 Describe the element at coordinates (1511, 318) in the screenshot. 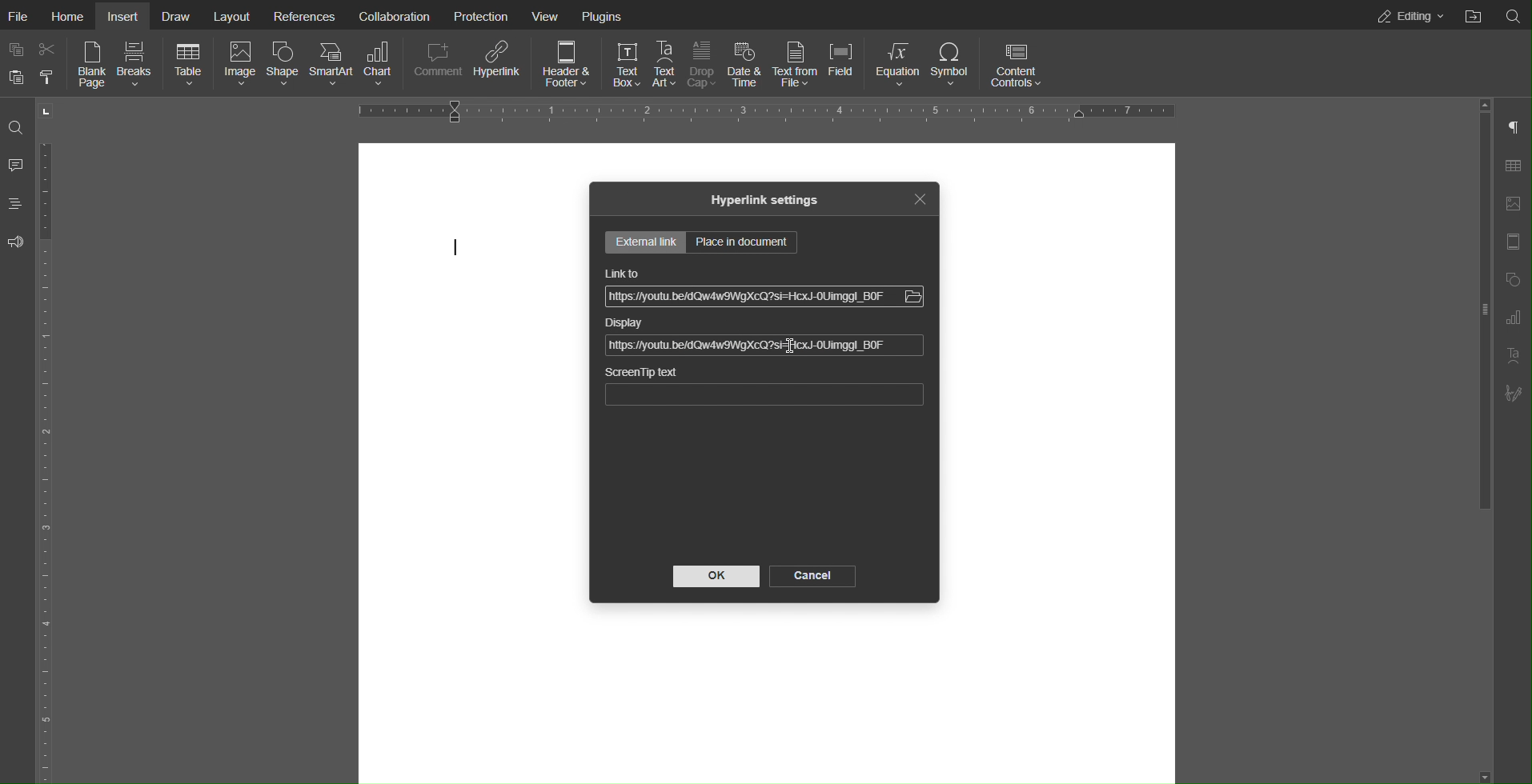

I see `Paragraph Settings` at that location.